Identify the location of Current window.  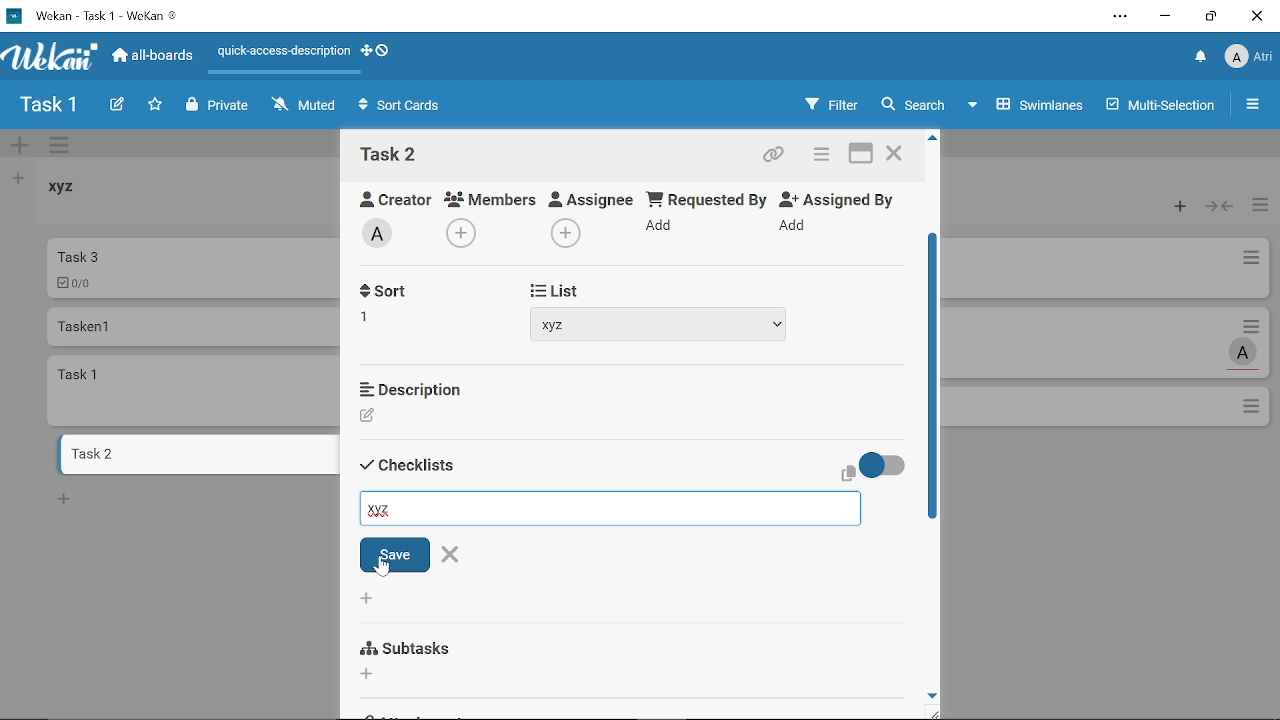
(92, 14).